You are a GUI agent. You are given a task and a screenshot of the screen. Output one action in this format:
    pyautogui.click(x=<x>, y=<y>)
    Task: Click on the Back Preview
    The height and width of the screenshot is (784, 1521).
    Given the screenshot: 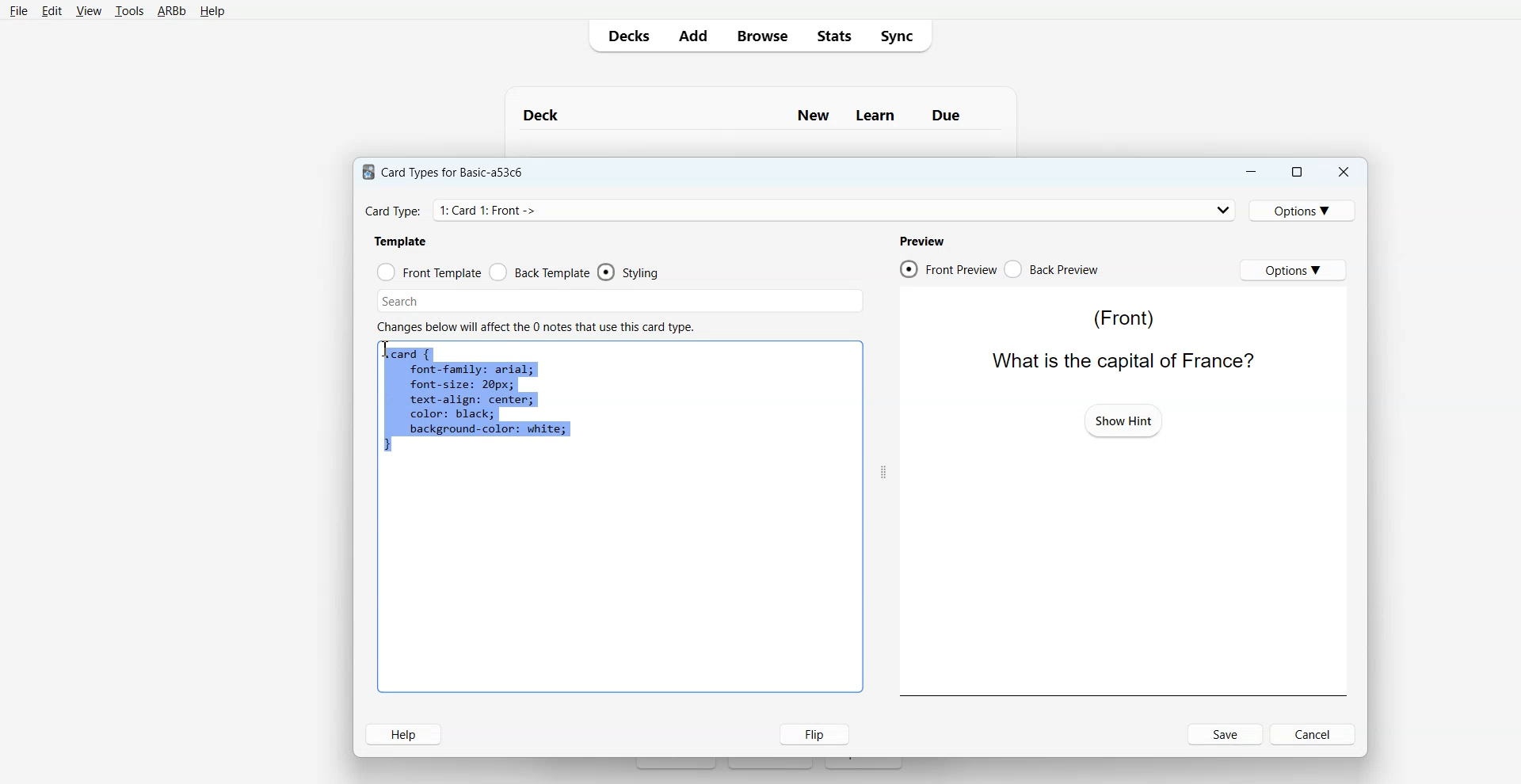 What is the action you would take?
    pyautogui.click(x=1052, y=269)
    